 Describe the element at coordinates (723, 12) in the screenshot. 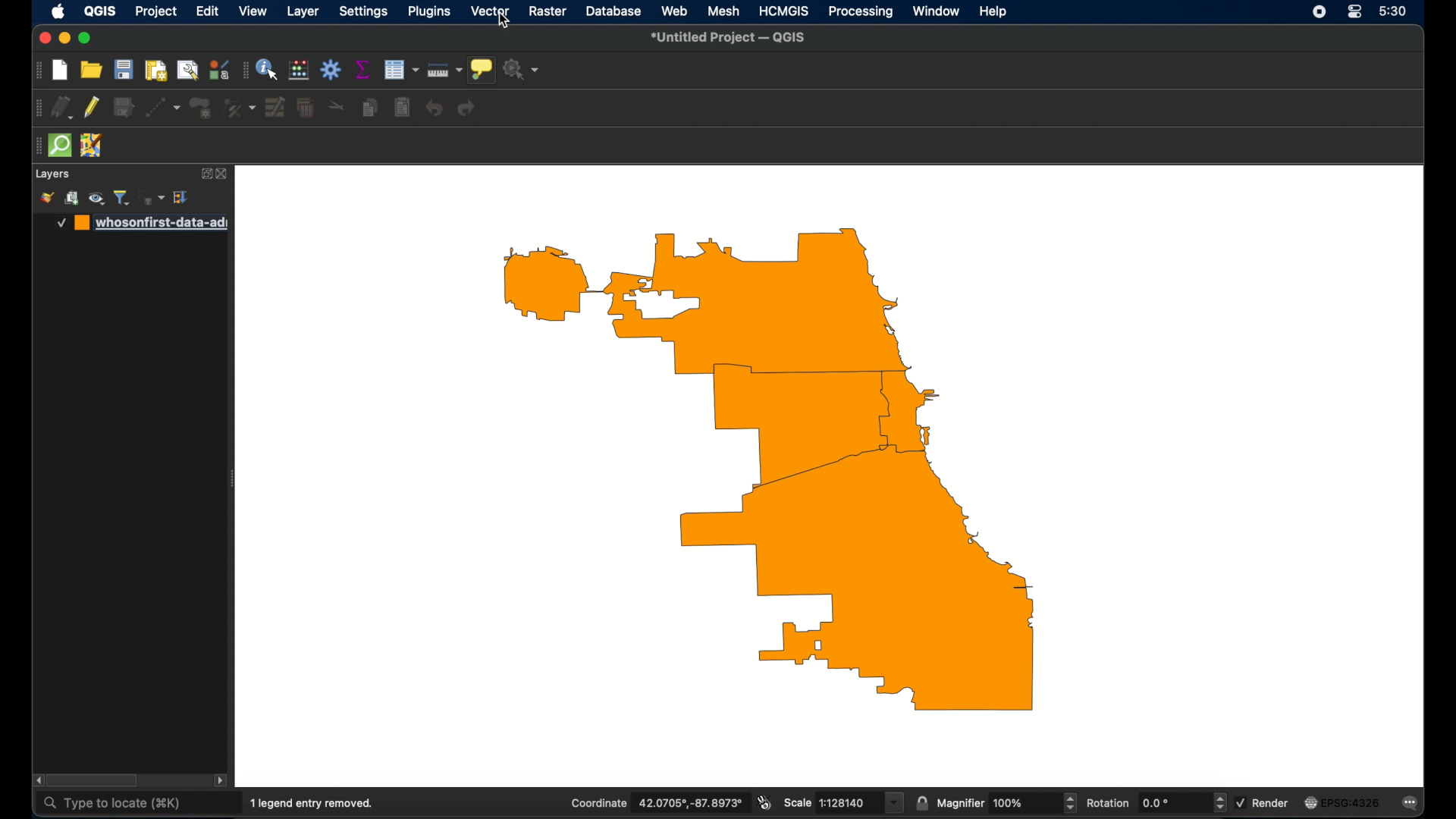

I see `mesh` at that location.